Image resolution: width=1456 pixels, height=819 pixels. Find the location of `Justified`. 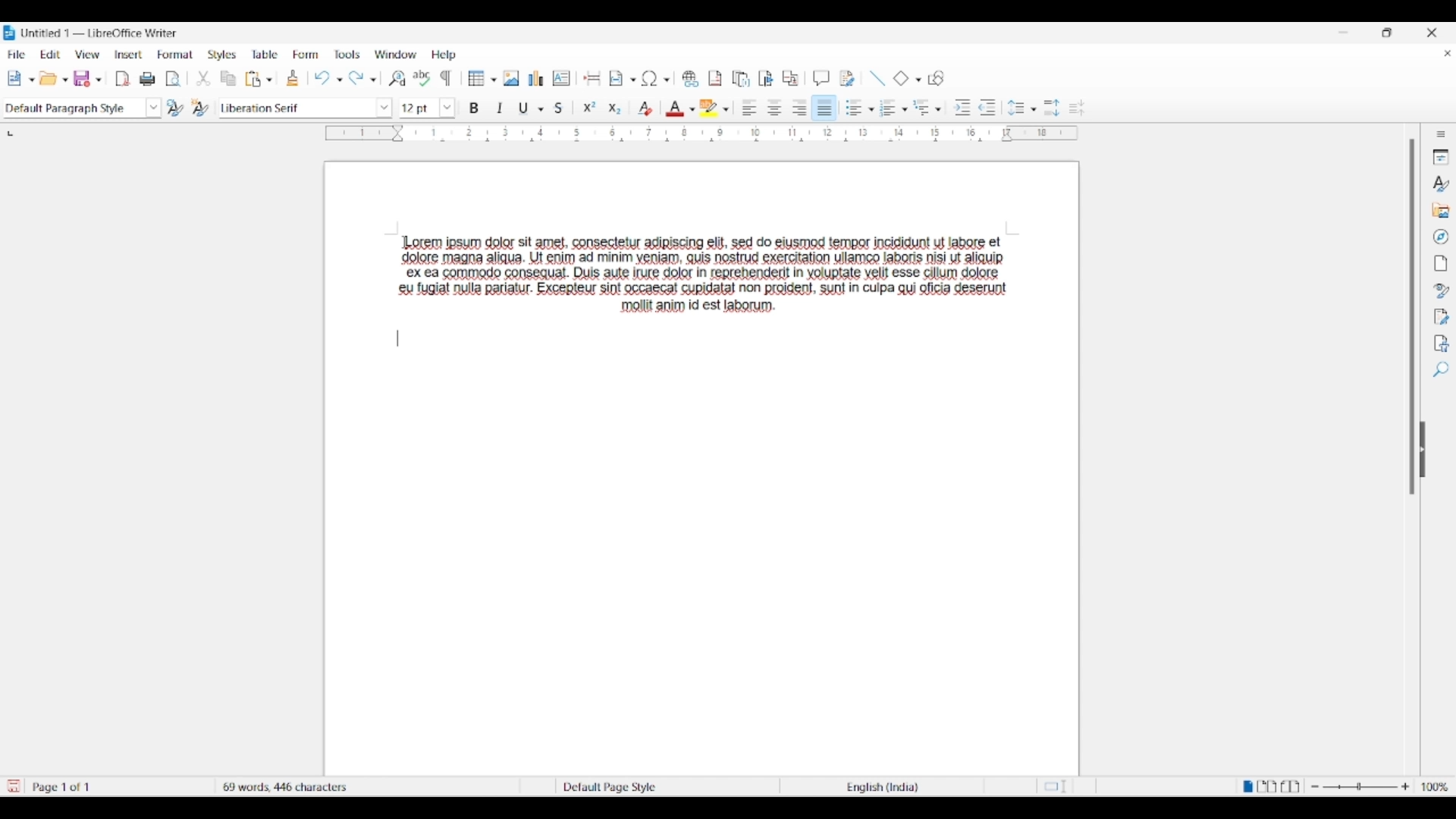

Justified is located at coordinates (825, 108).